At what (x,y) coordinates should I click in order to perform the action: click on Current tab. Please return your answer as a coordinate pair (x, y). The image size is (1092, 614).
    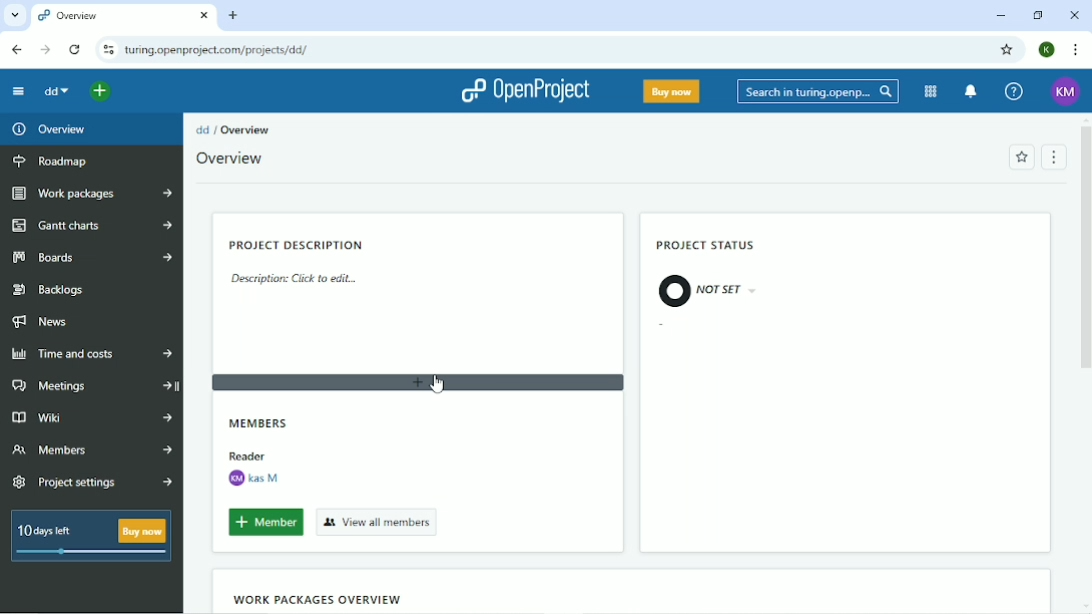
    Looking at the image, I should click on (124, 16).